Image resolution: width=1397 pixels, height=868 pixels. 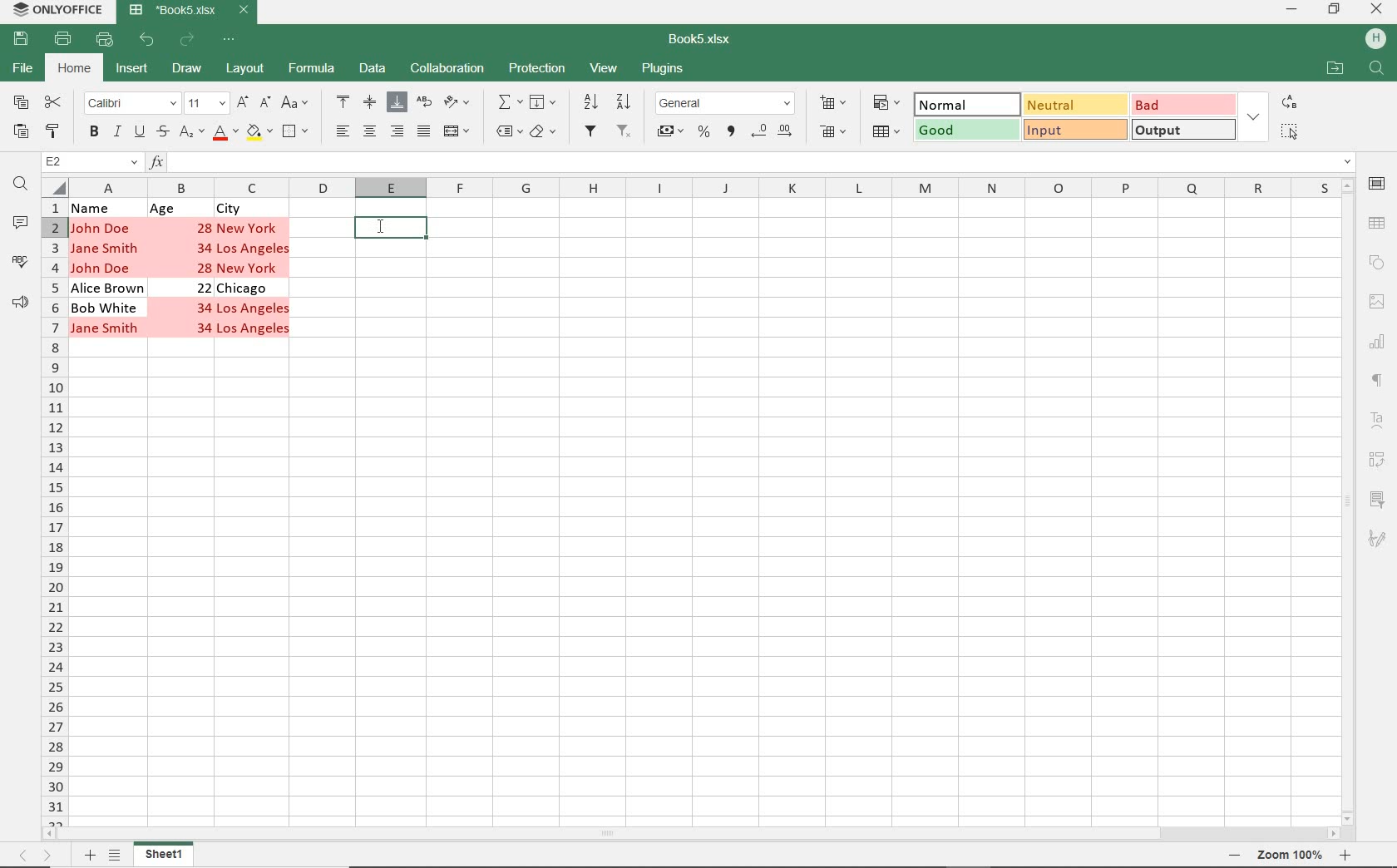 What do you see at coordinates (1346, 503) in the screenshot?
I see `SCROLLBAR` at bounding box center [1346, 503].